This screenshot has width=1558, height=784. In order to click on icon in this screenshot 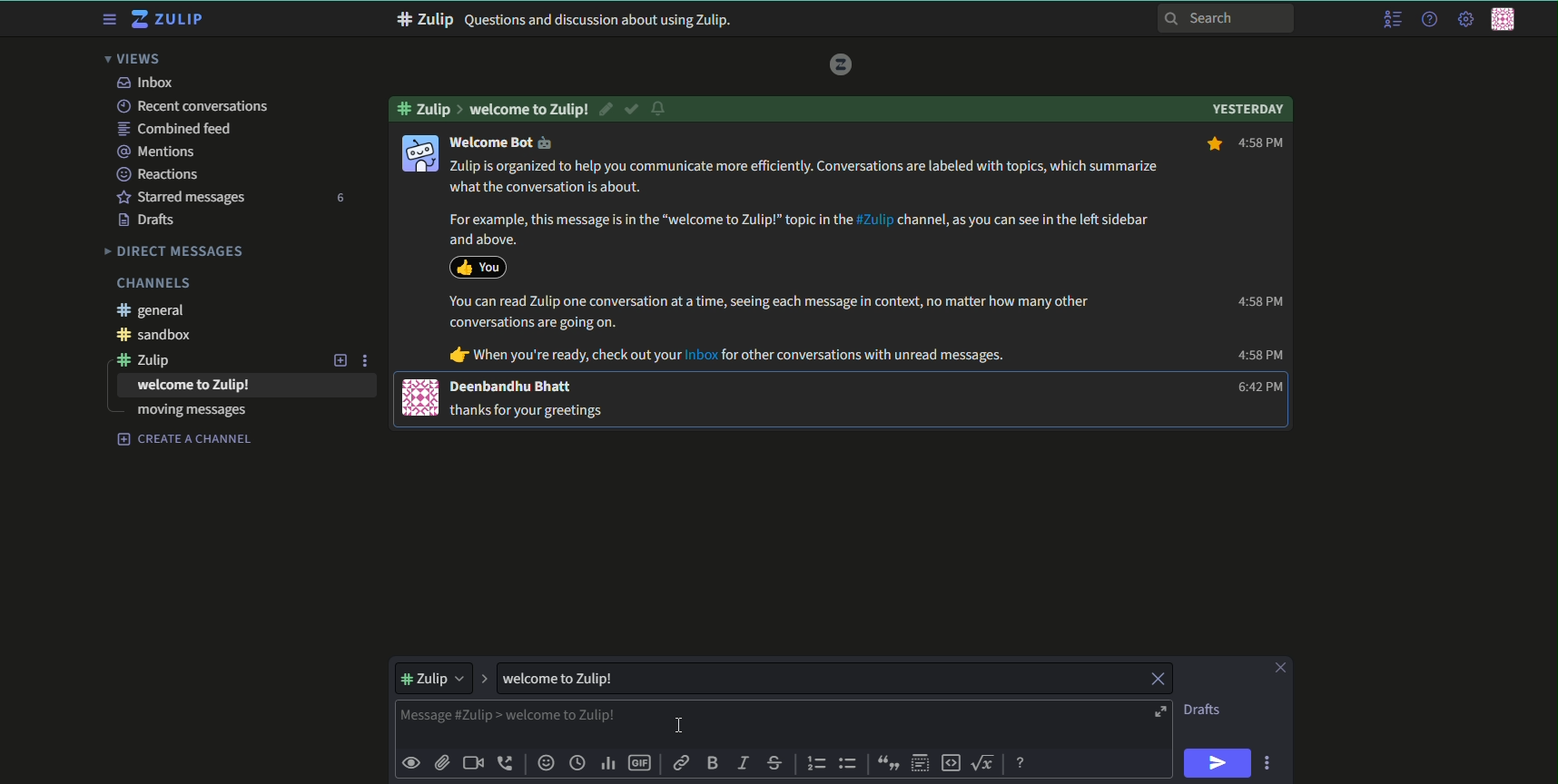, I will do `click(421, 397)`.